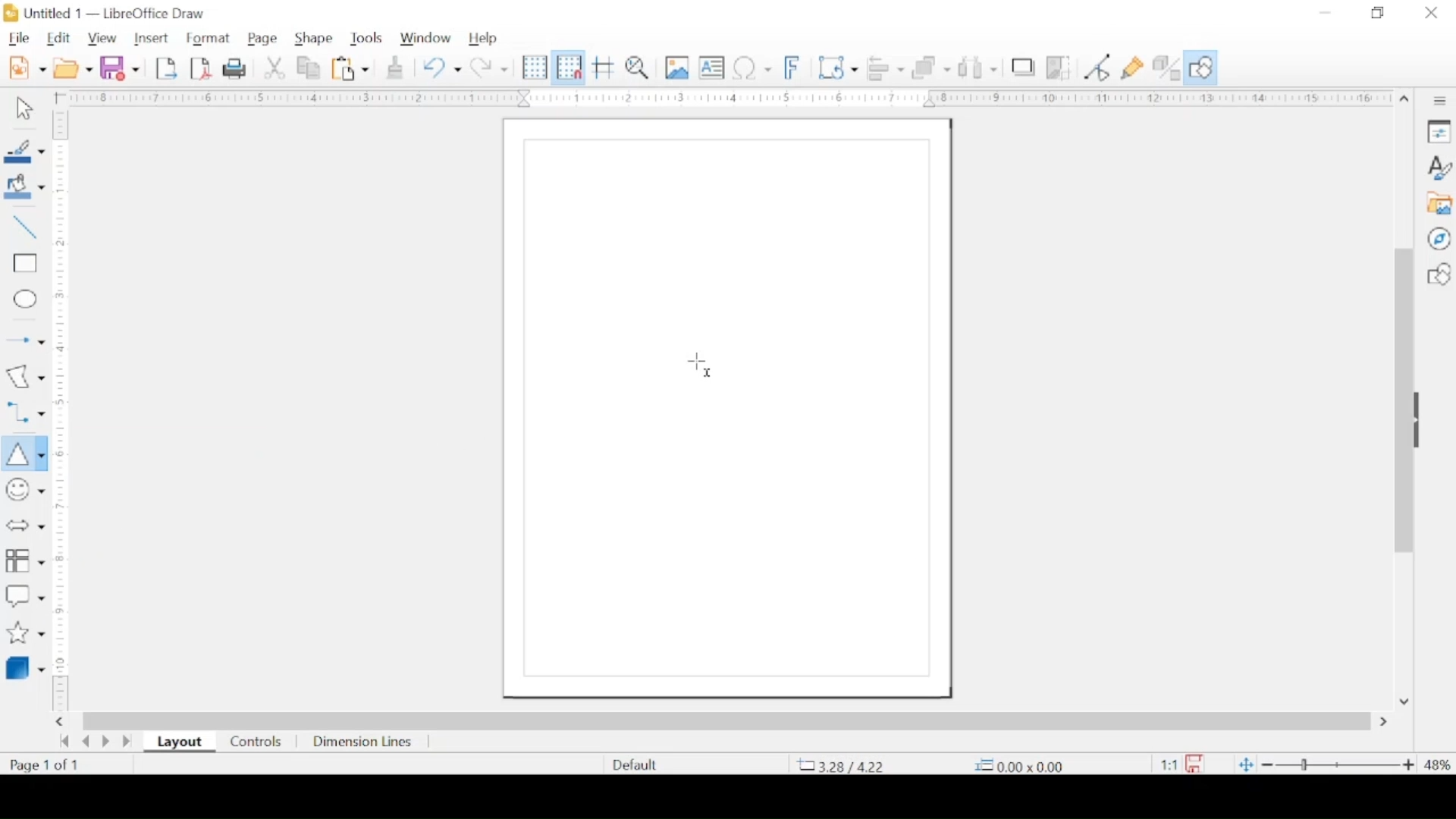 The image size is (1456, 819). Describe the element at coordinates (978, 68) in the screenshot. I see `show at least three objects to distribute` at that location.